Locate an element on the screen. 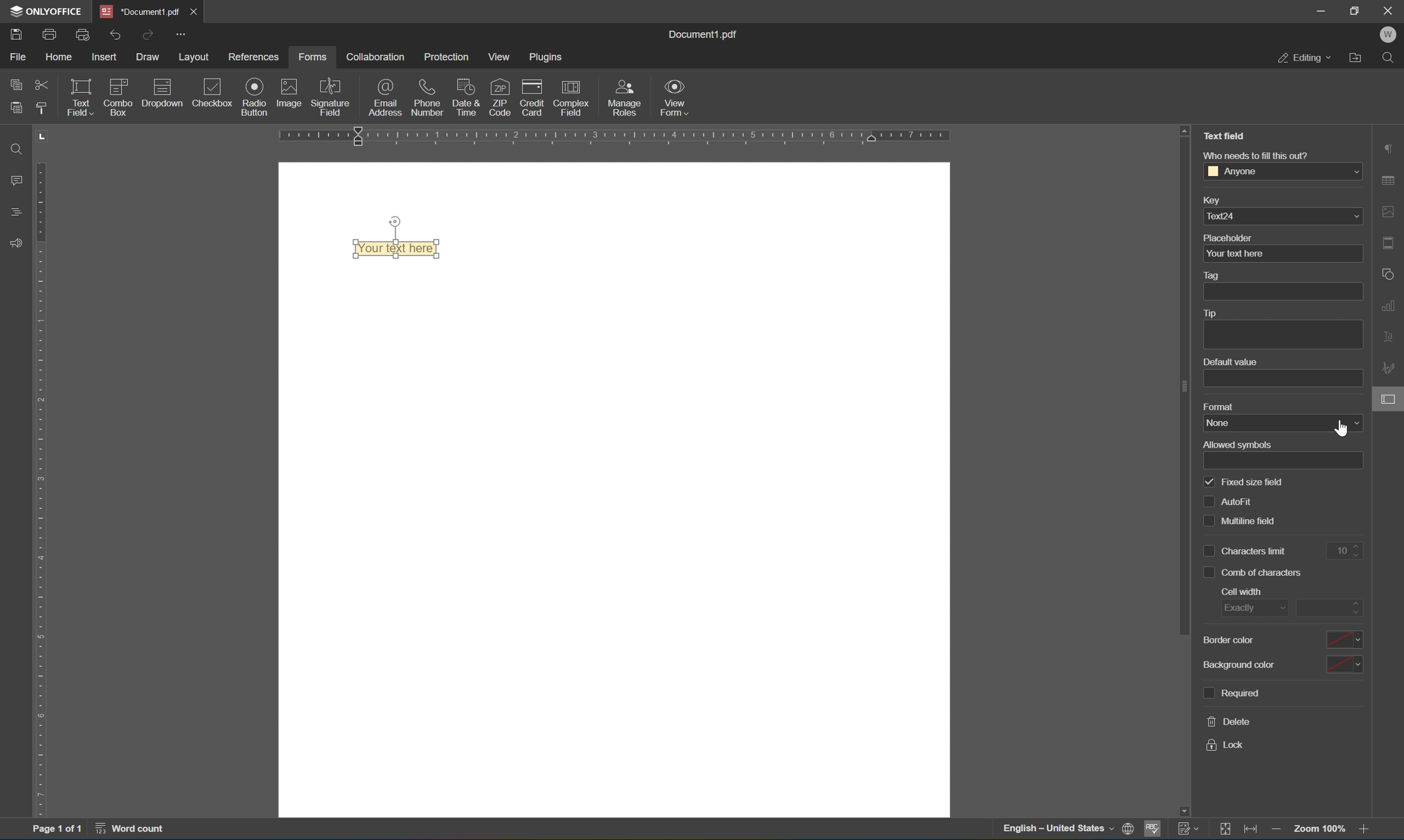 The width and height of the screenshot is (1404, 840). quick print is located at coordinates (84, 35).